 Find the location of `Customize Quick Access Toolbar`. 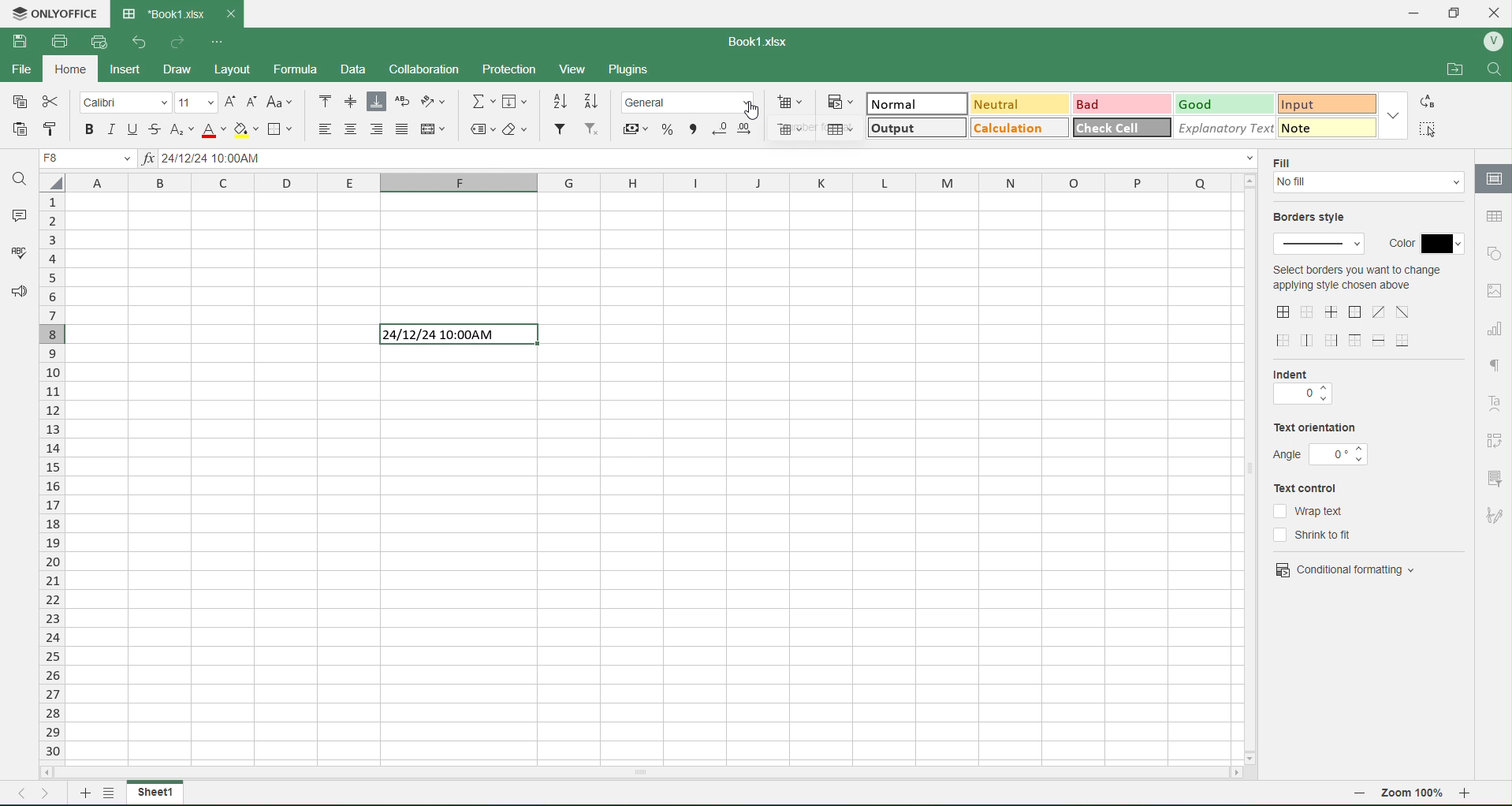

Customize Quick Access Toolbar is located at coordinates (217, 39).